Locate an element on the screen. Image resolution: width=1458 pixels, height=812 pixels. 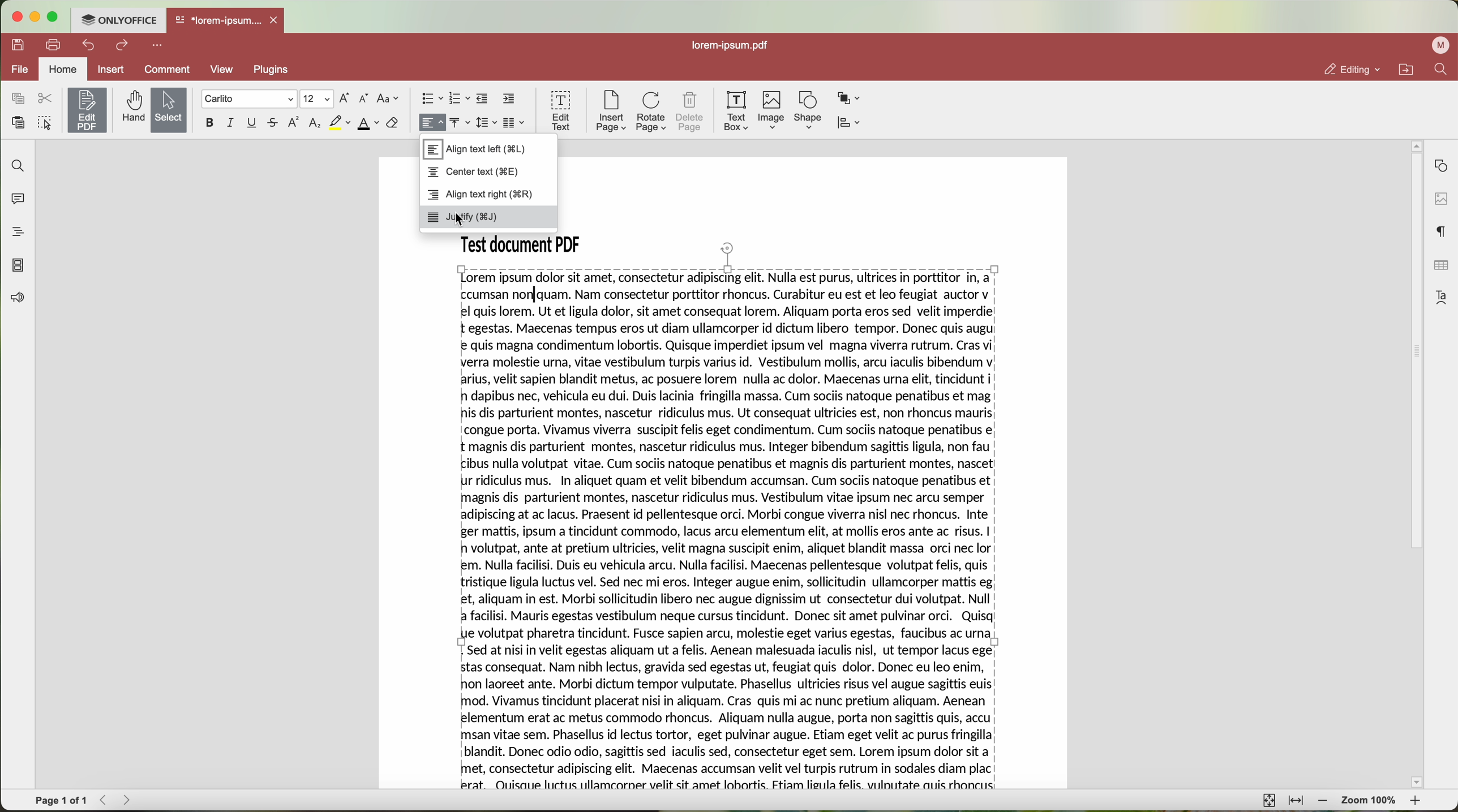
cursor is located at coordinates (465, 223).